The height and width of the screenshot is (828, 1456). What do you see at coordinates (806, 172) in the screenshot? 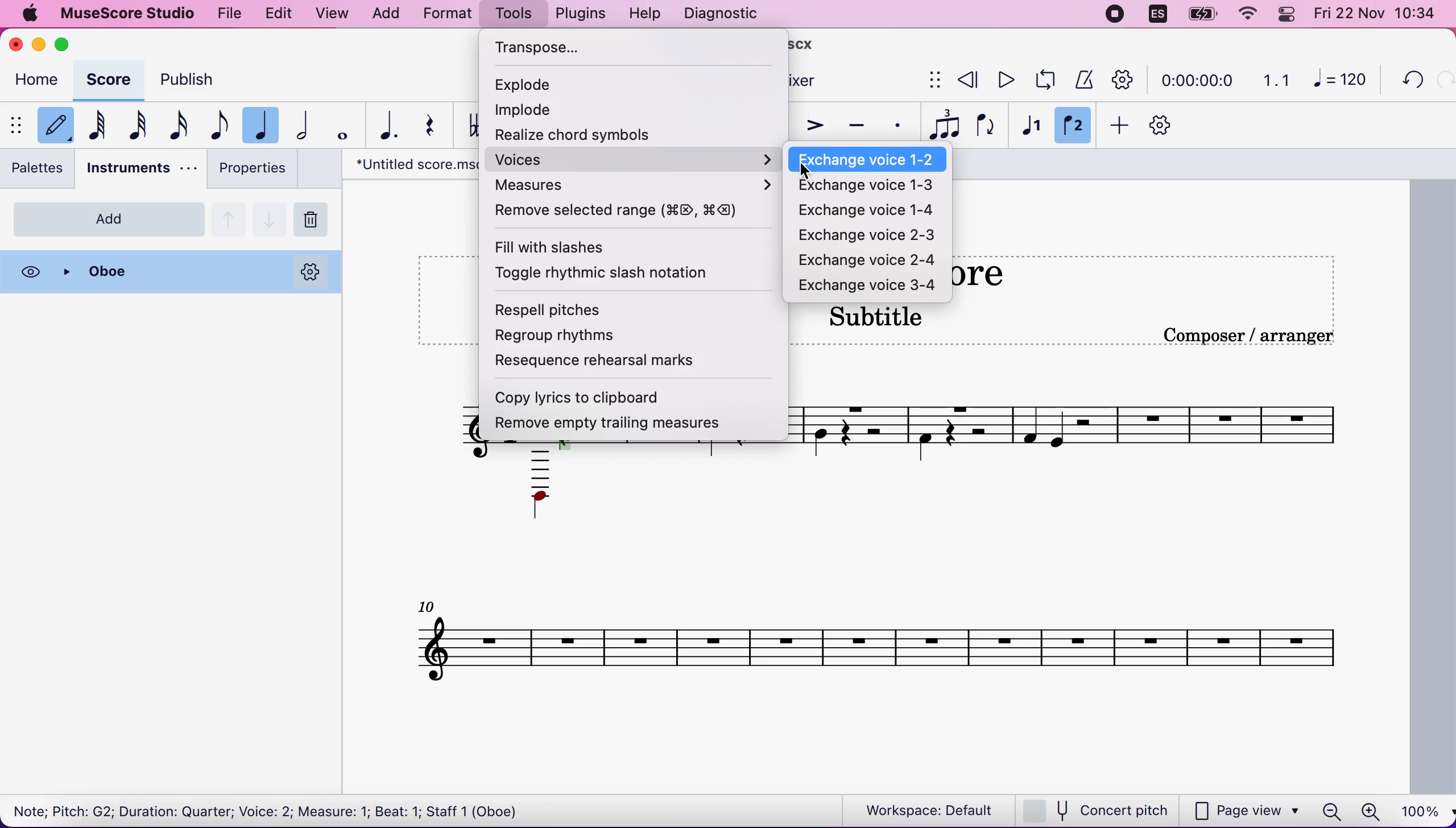
I see `cursor` at bounding box center [806, 172].